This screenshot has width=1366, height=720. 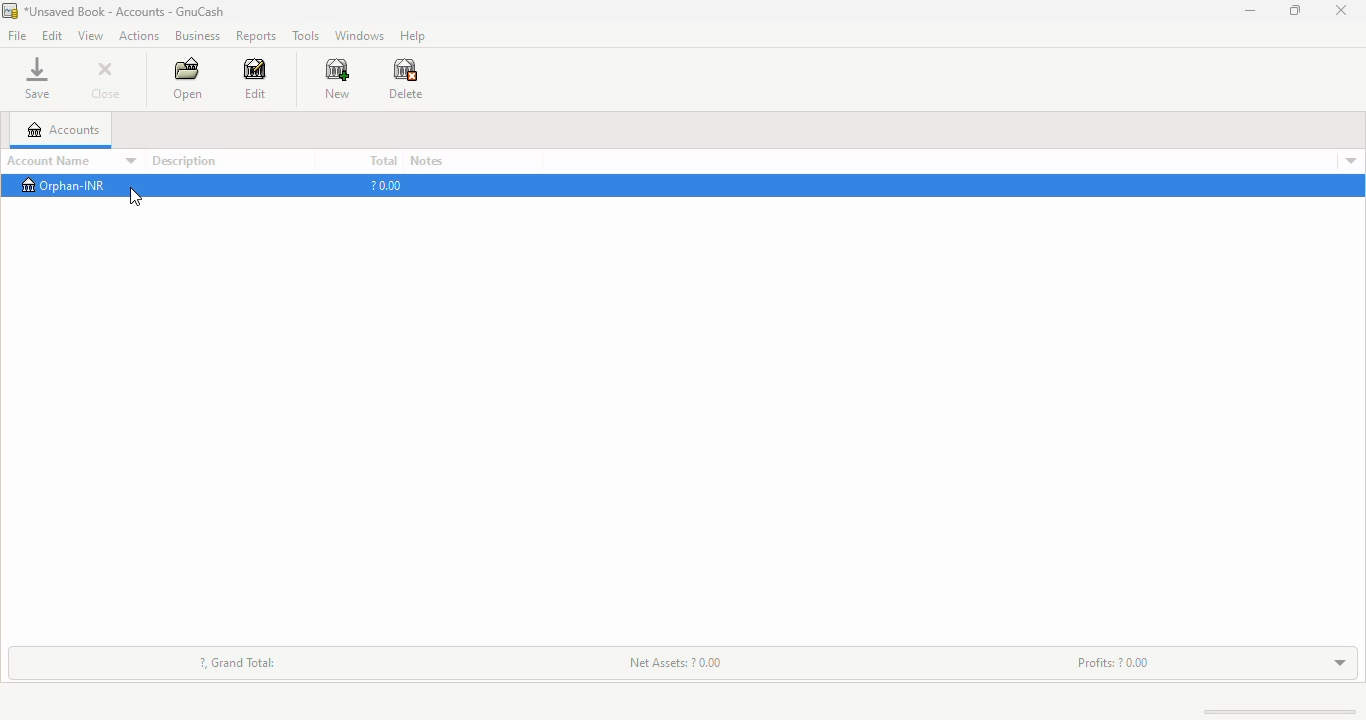 What do you see at coordinates (359, 36) in the screenshot?
I see `windows` at bounding box center [359, 36].